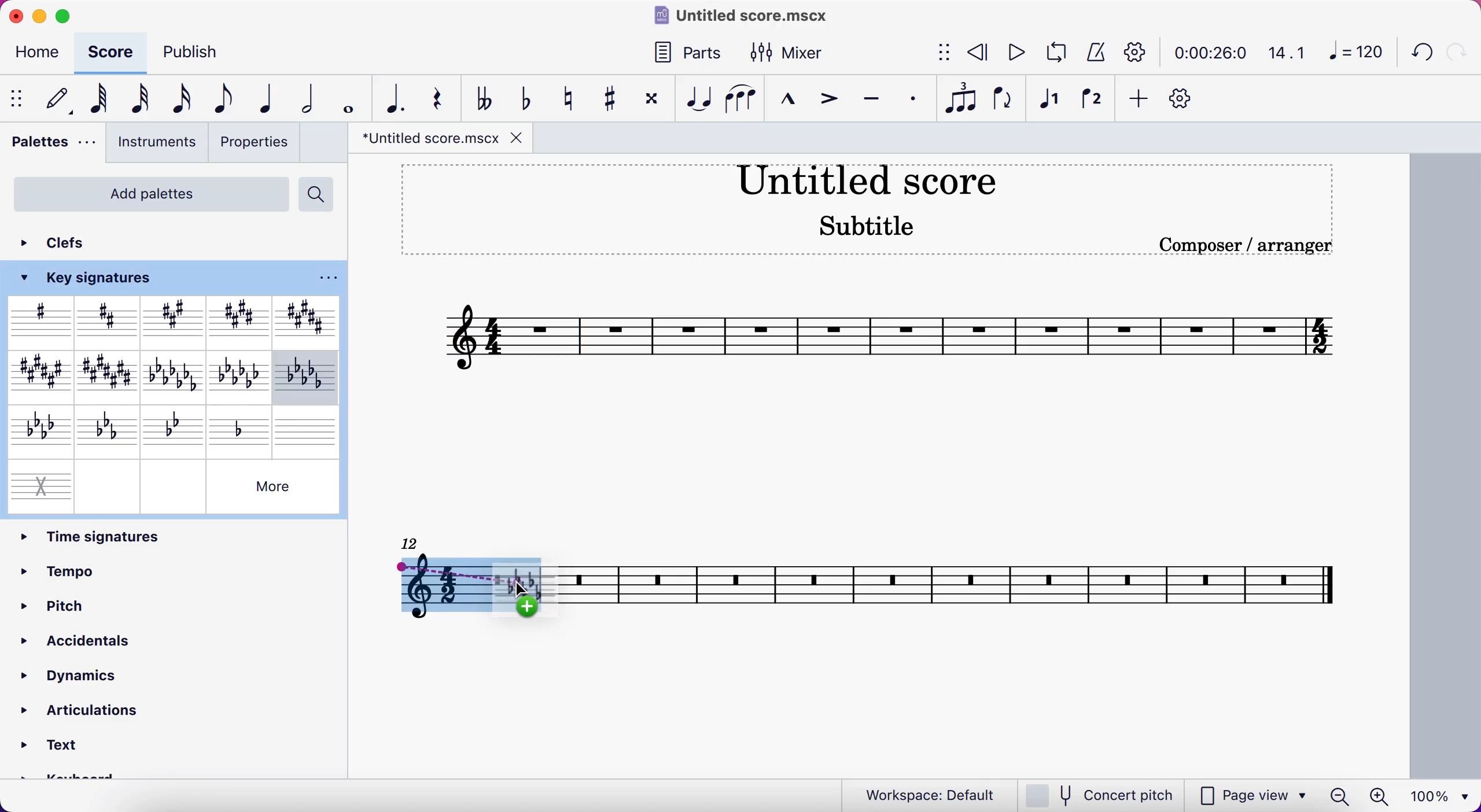 The width and height of the screenshot is (1481, 812). I want to click on score, so click(887, 333).